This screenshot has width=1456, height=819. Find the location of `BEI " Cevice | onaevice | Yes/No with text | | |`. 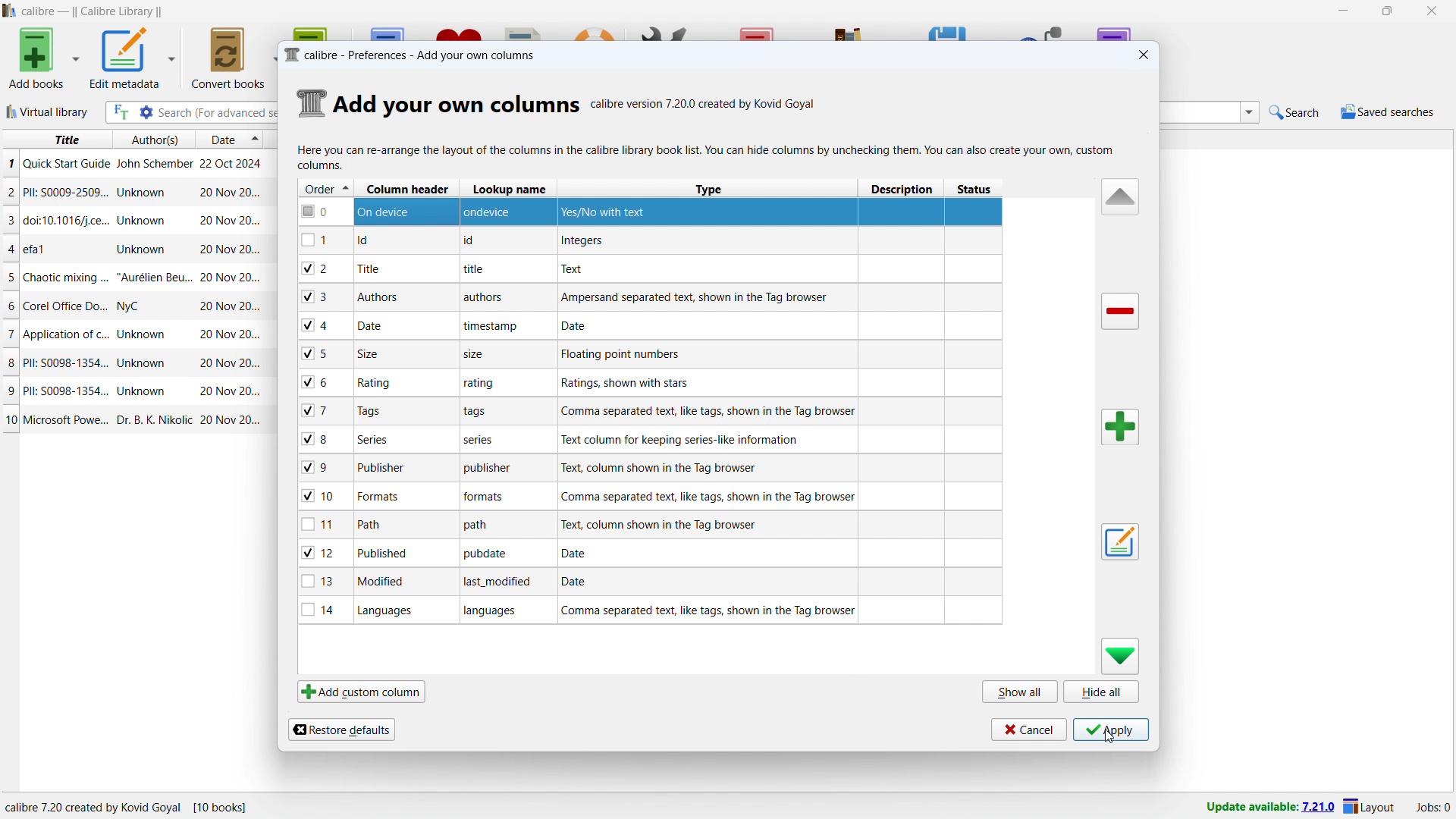

BEI " Cevice | onaevice | Yes/No with text | | | is located at coordinates (649, 211).